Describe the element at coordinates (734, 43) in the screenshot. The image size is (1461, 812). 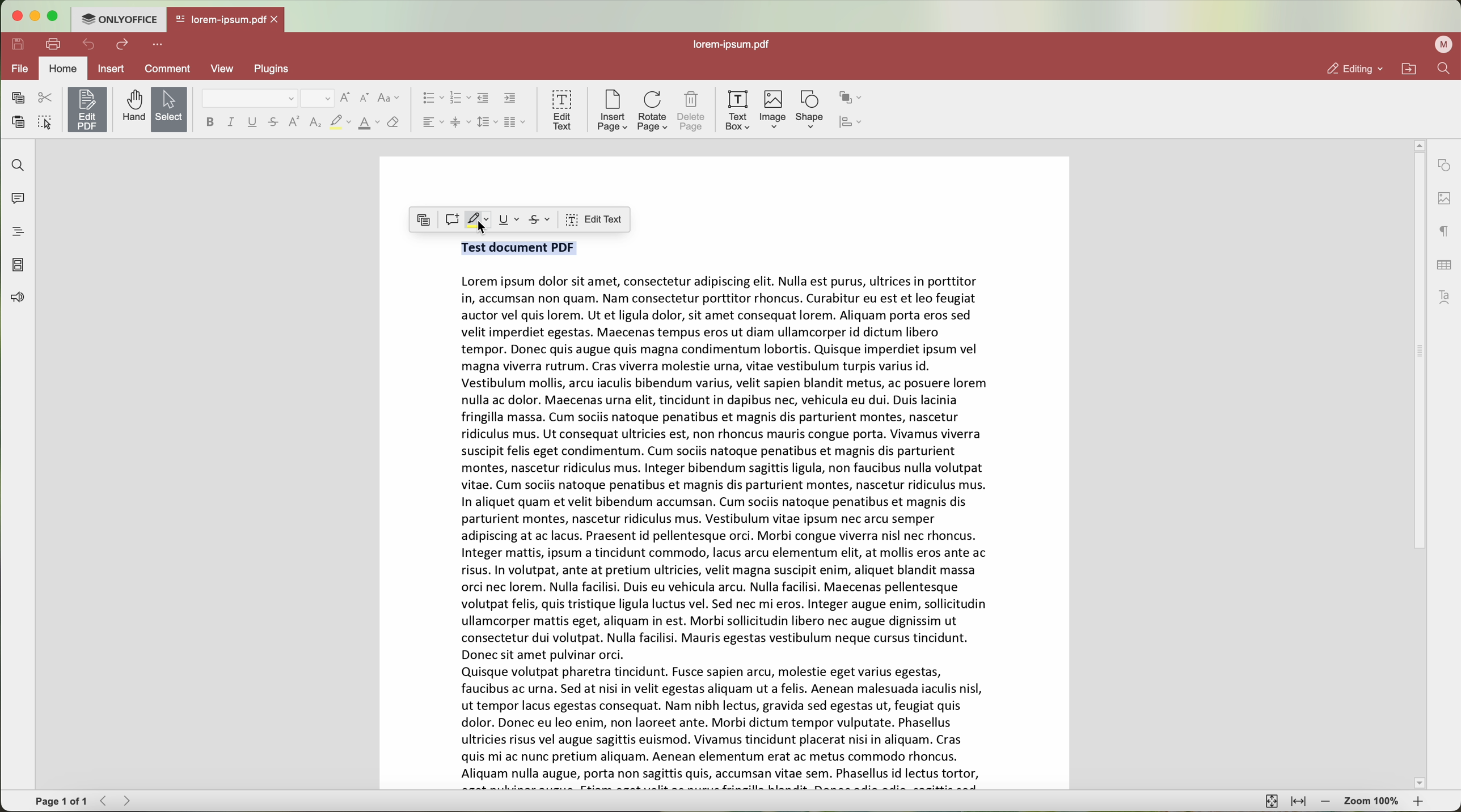
I see `file name` at that location.